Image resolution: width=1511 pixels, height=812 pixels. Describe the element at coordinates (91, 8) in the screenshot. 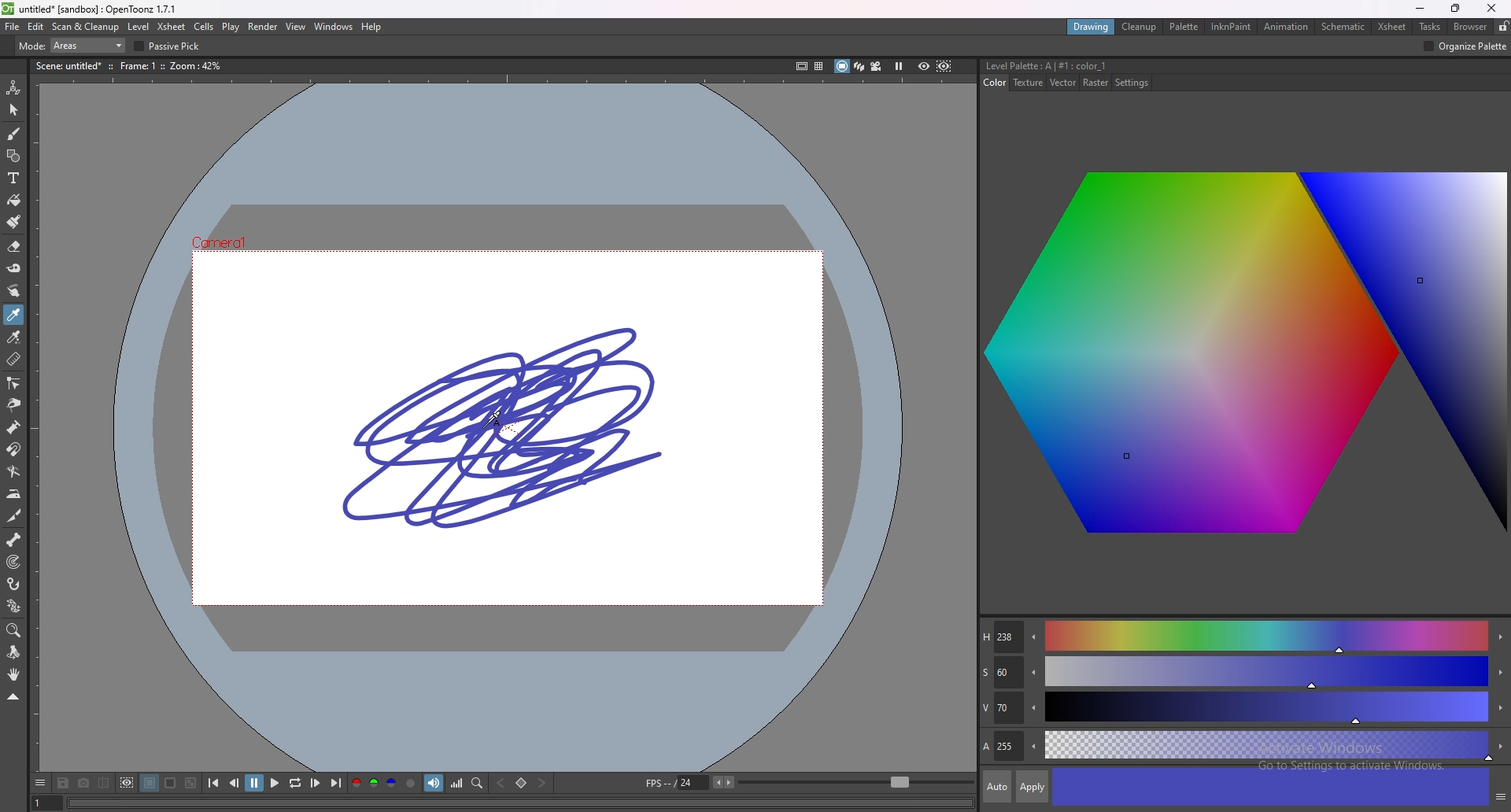

I see `title` at that location.